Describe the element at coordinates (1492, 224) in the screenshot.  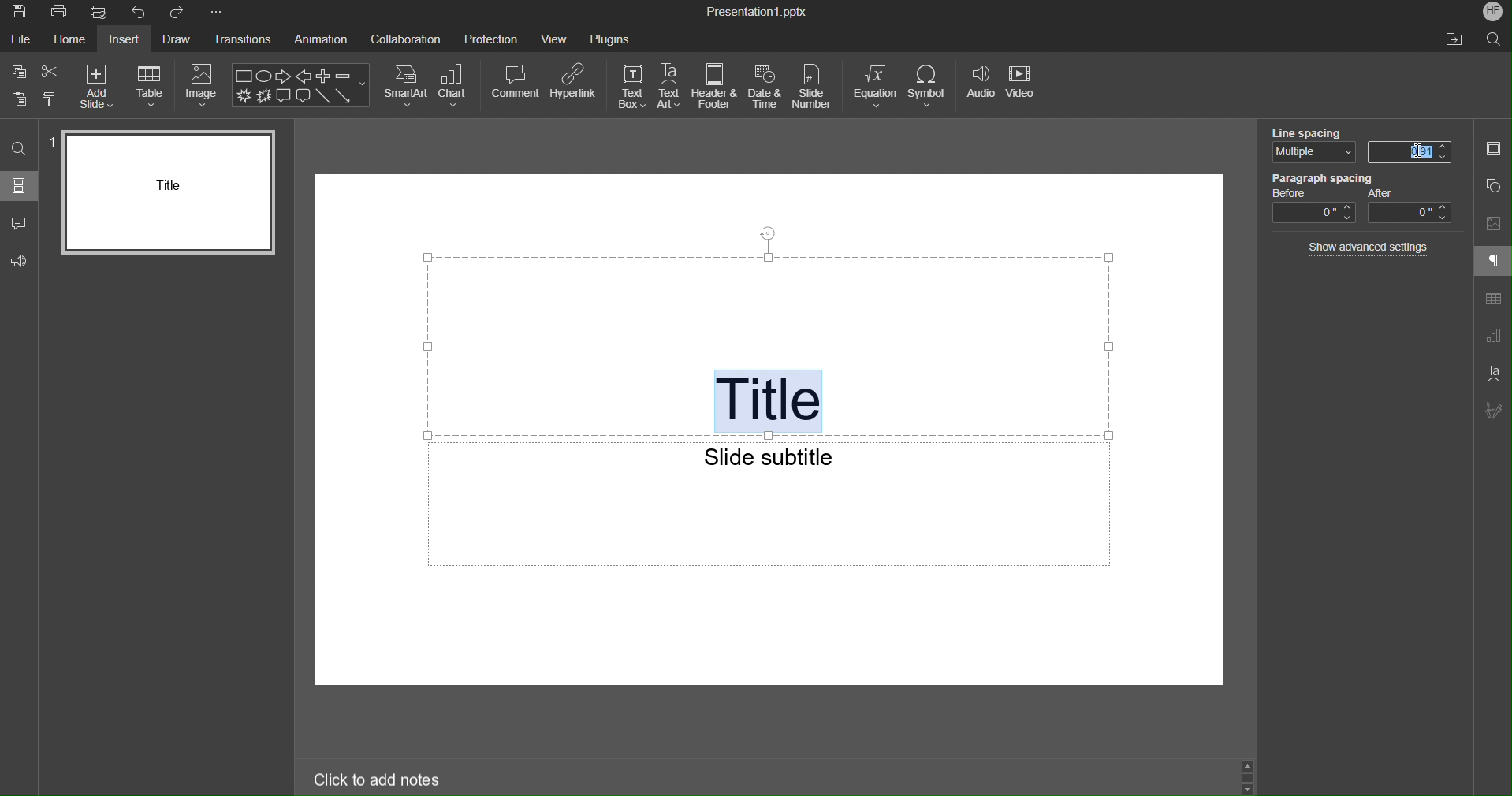
I see `Image Settings` at that location.